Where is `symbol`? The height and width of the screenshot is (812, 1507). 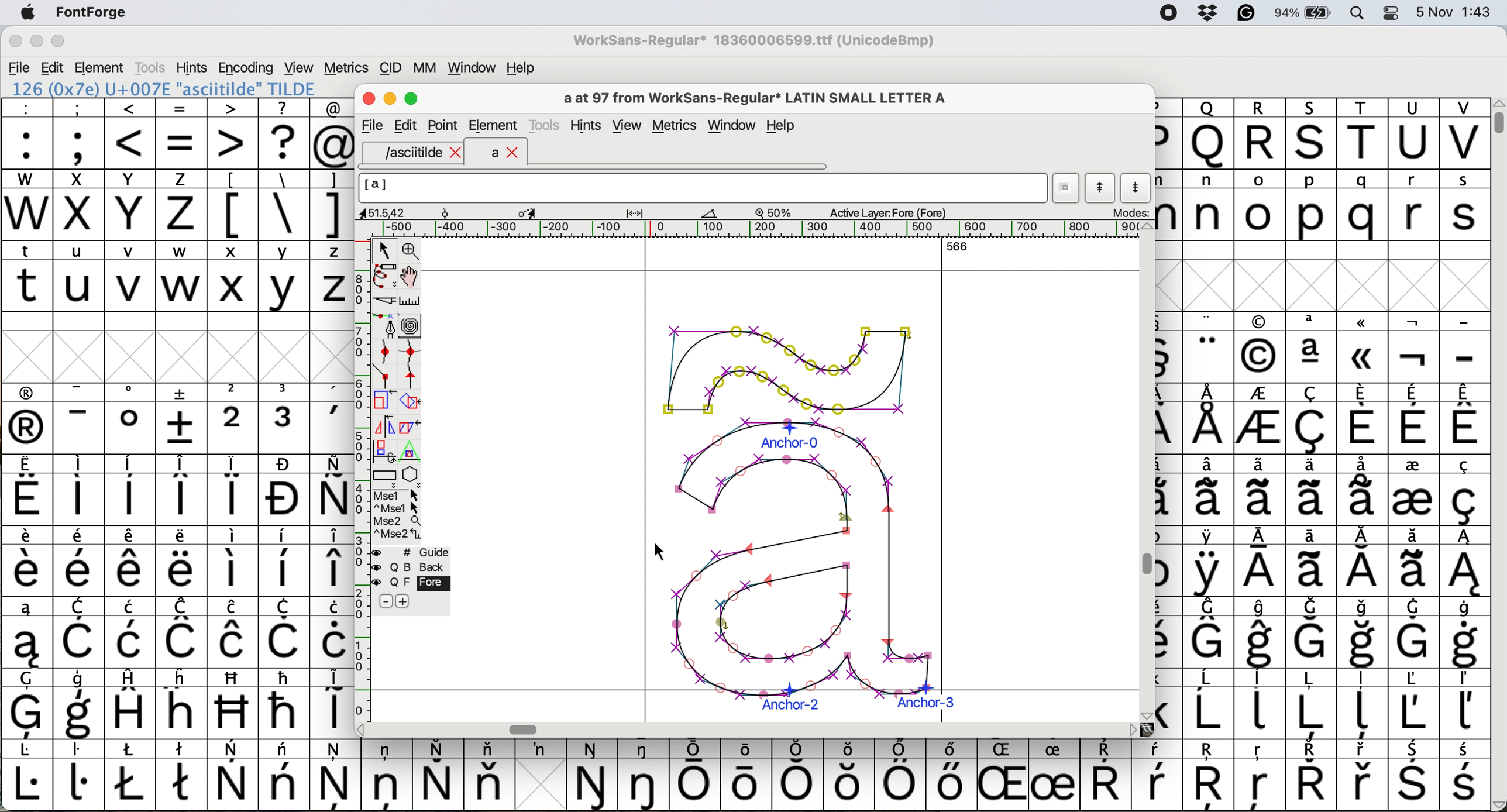 symbol is located at coordinates (27, 562).